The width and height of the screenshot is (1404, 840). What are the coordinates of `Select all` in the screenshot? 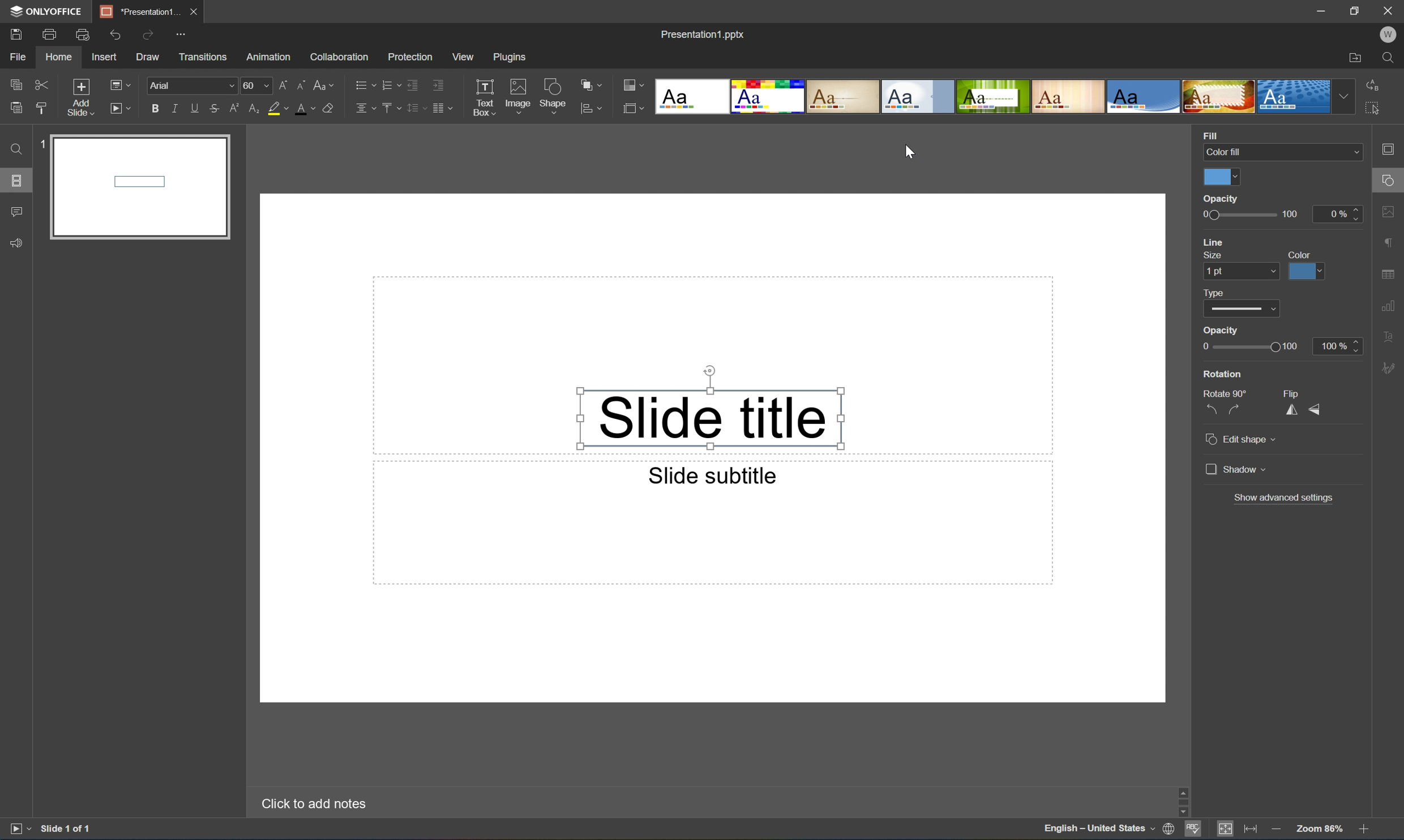 It's located at (1373, 112).